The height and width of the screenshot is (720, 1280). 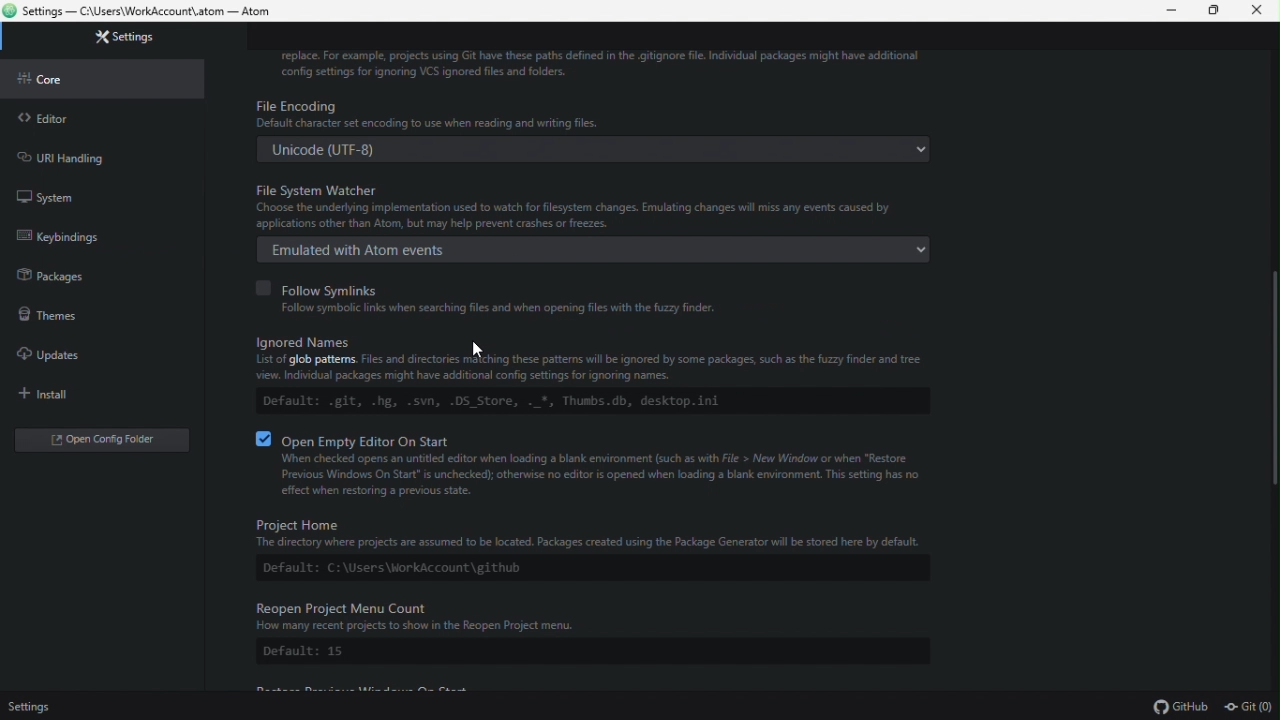 What do you see at coordinates (1209, 11) in the screenshot?
I see `maximize` at bounding box center [1209, 11].